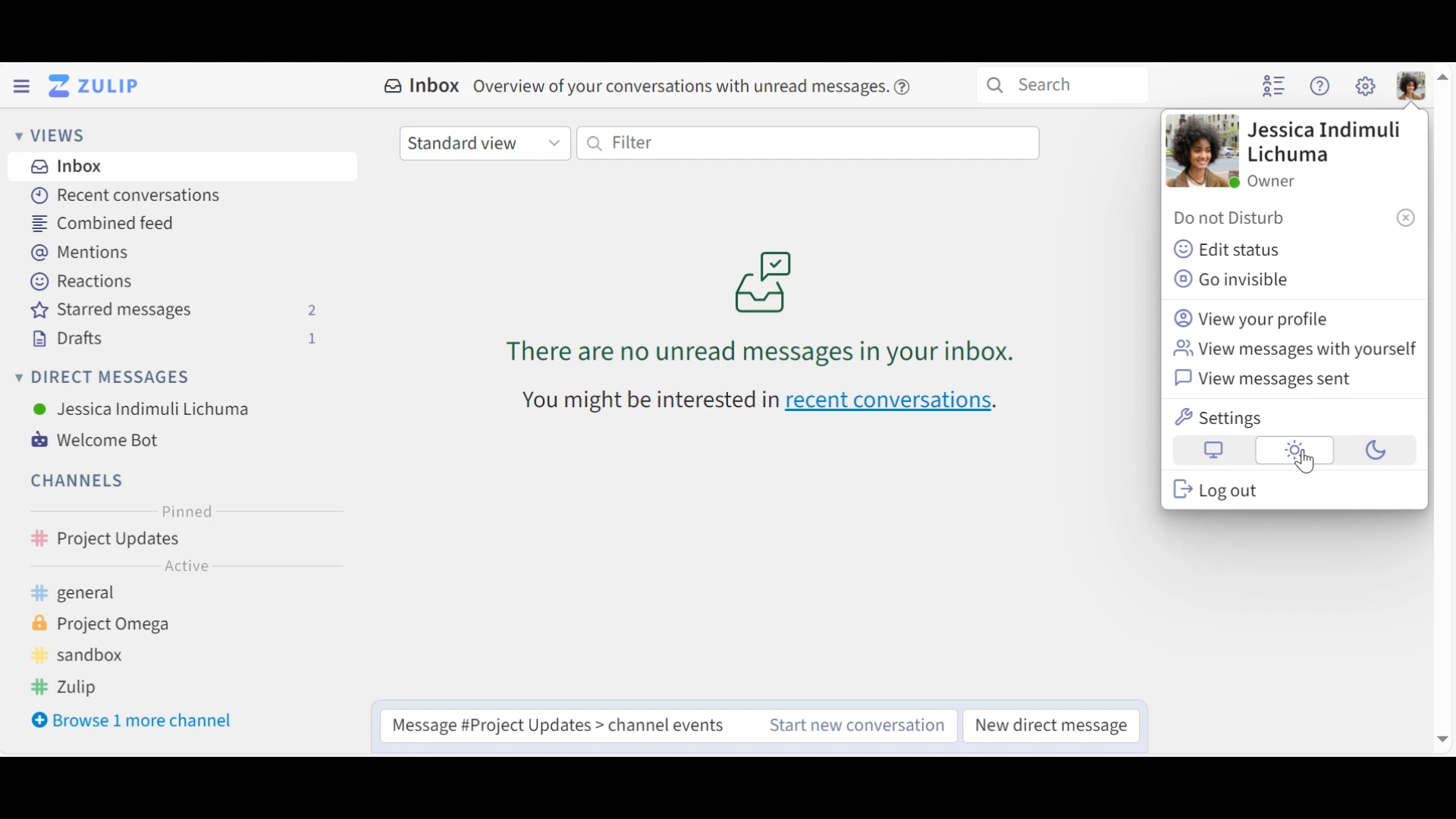 The width and height of the screenshot is (1456, 819). I want to click on there are no unread messages in your inbox, so click(721, 354).